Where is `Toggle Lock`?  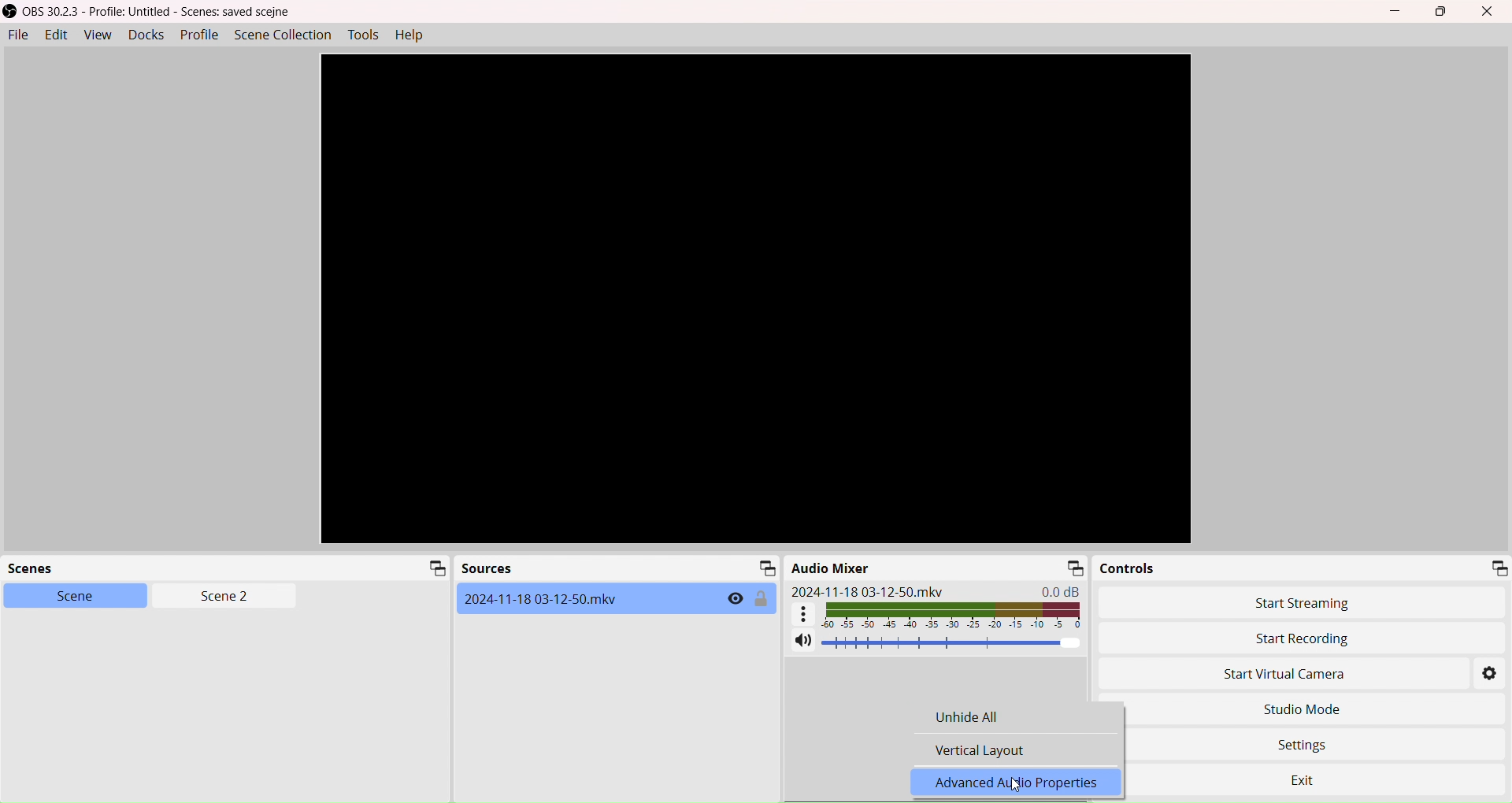
Toggle Lock is located at coordinates (762, 599).